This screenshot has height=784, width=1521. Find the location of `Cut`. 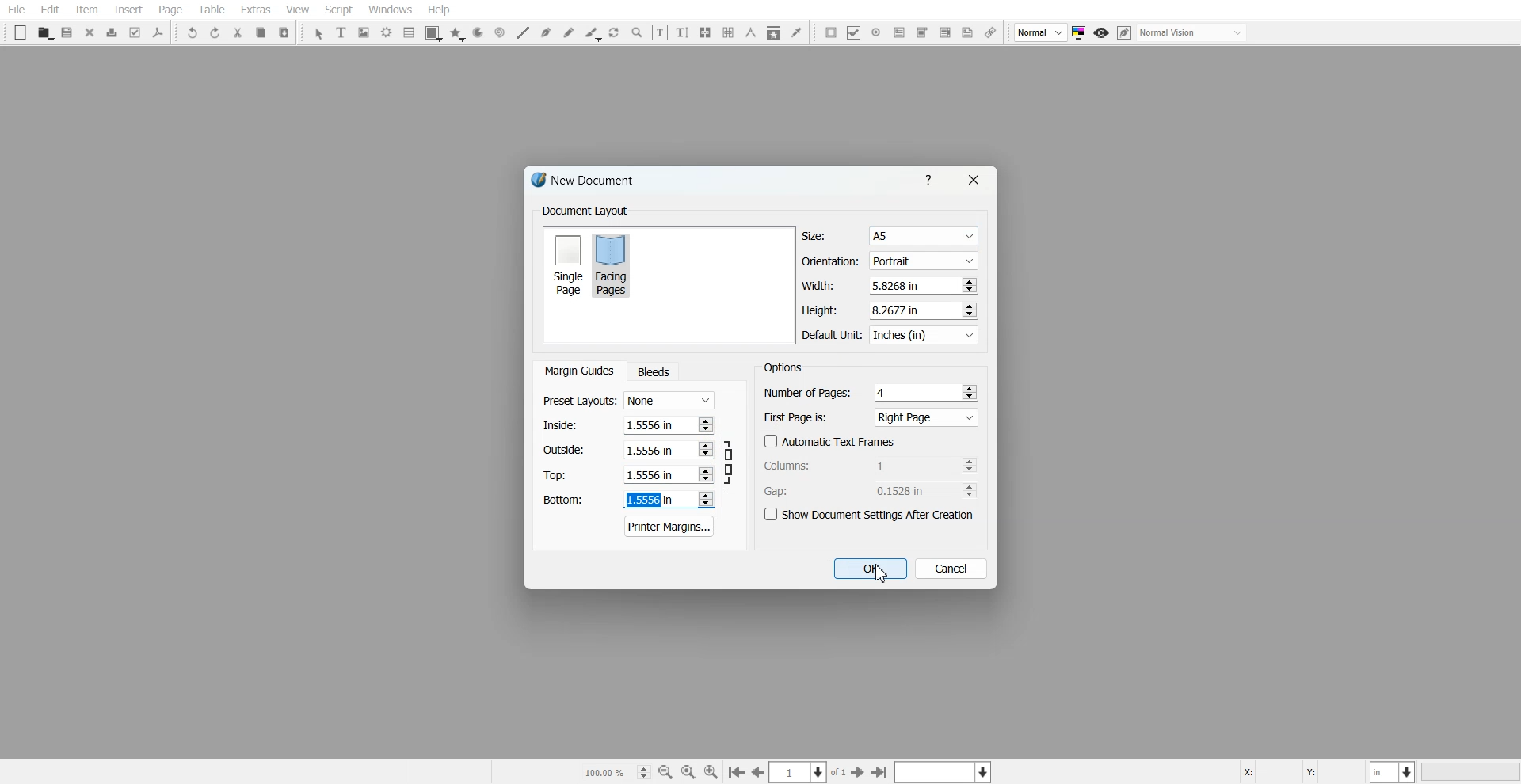

Cut is located at coordinates (238, 32).